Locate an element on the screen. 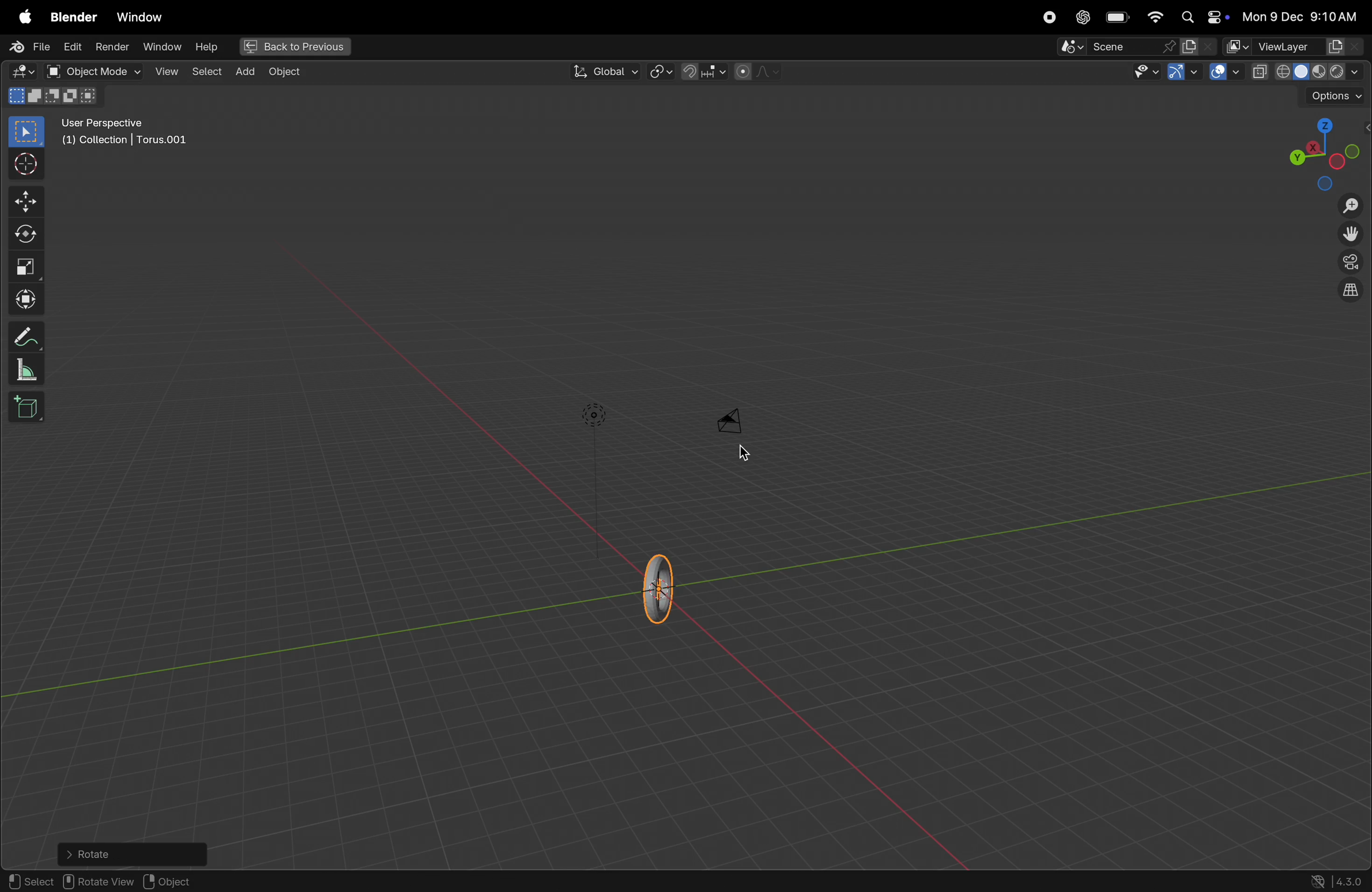 Image resolution: width=1372 pixels, height=892 pixels. scene is located at coordinates (1118, 47).